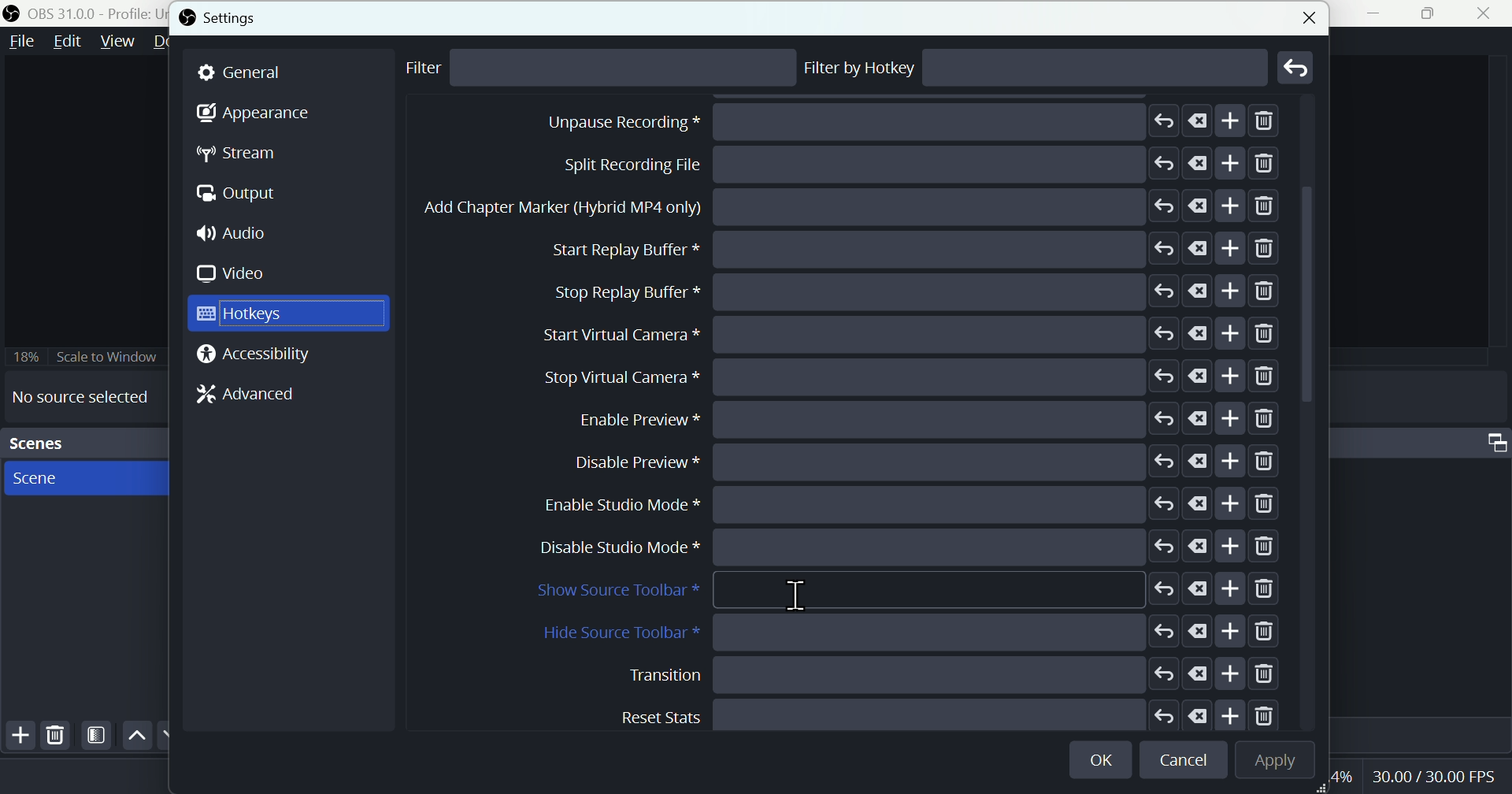  Describe the element at coordinates (250, 154) in the screenshot. I see `Stream` at that location.